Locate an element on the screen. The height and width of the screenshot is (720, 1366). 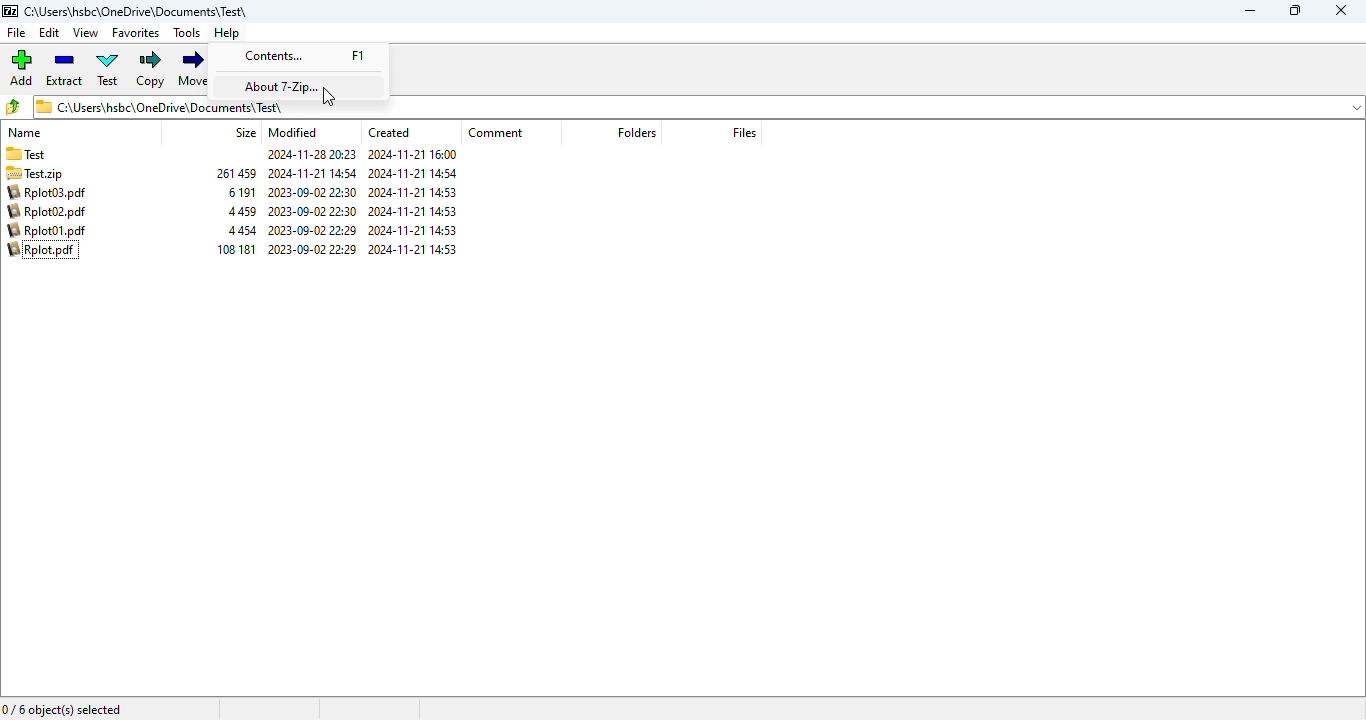
108 181 is located at coordinates (236, 249).